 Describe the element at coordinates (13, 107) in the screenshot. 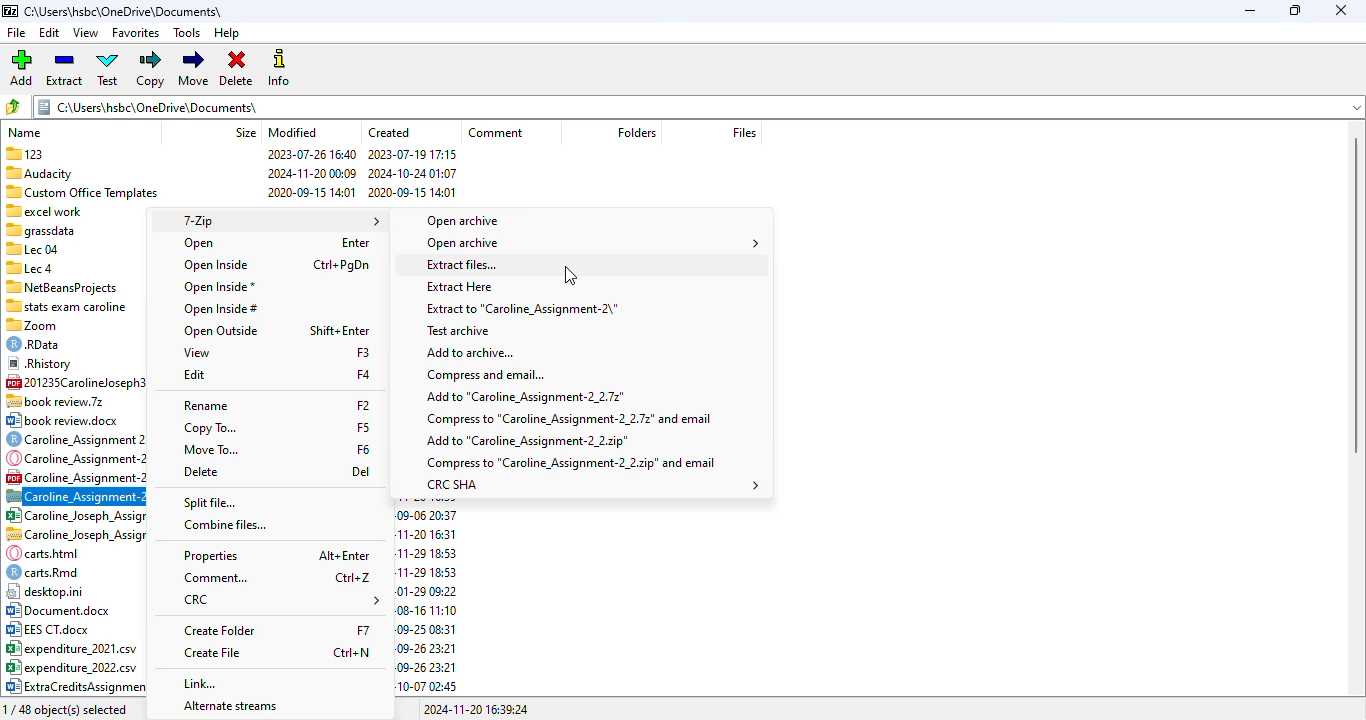

I see `browse folders` at that location.